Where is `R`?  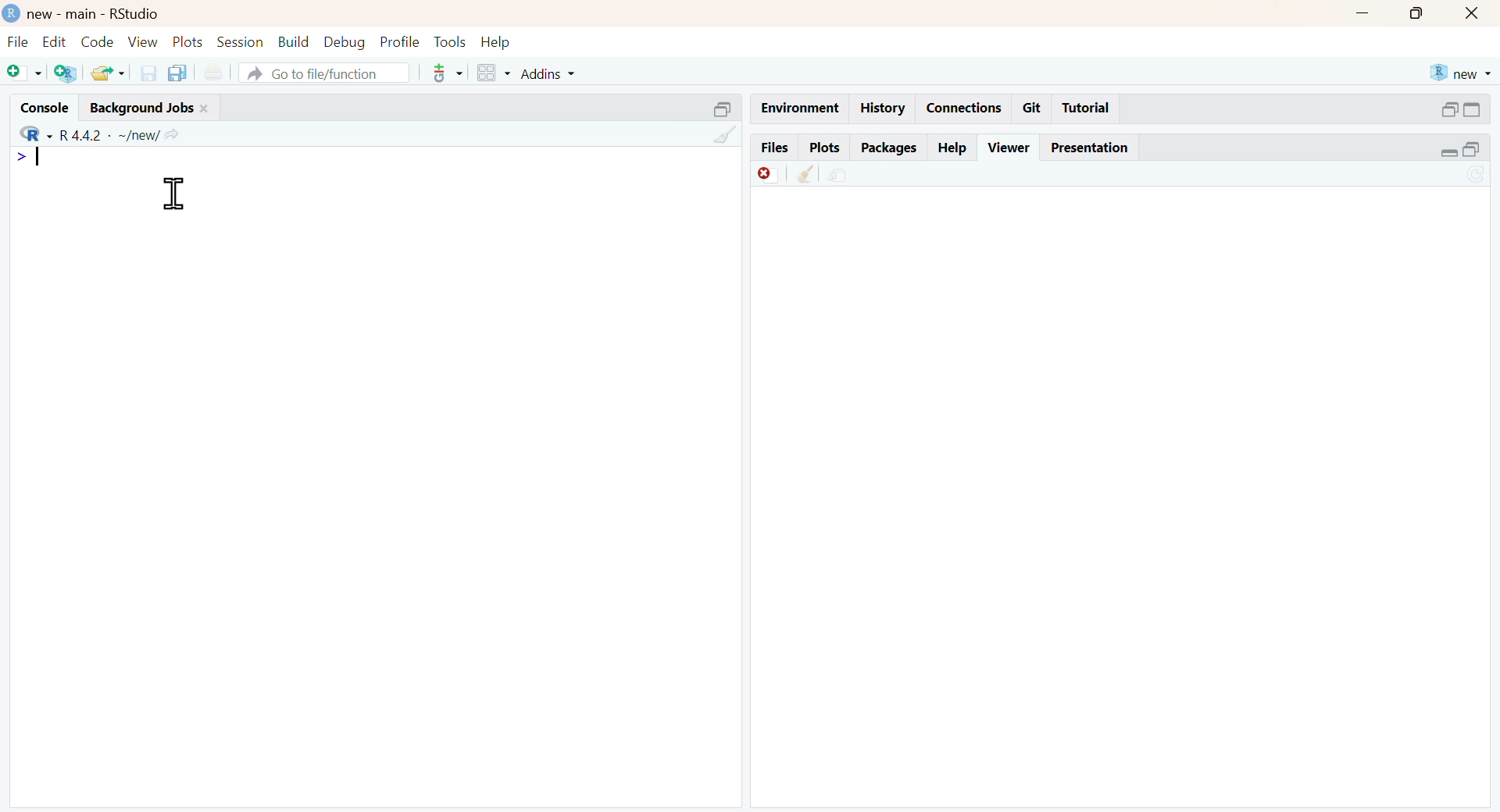 R is located at coordinates (37, 134).